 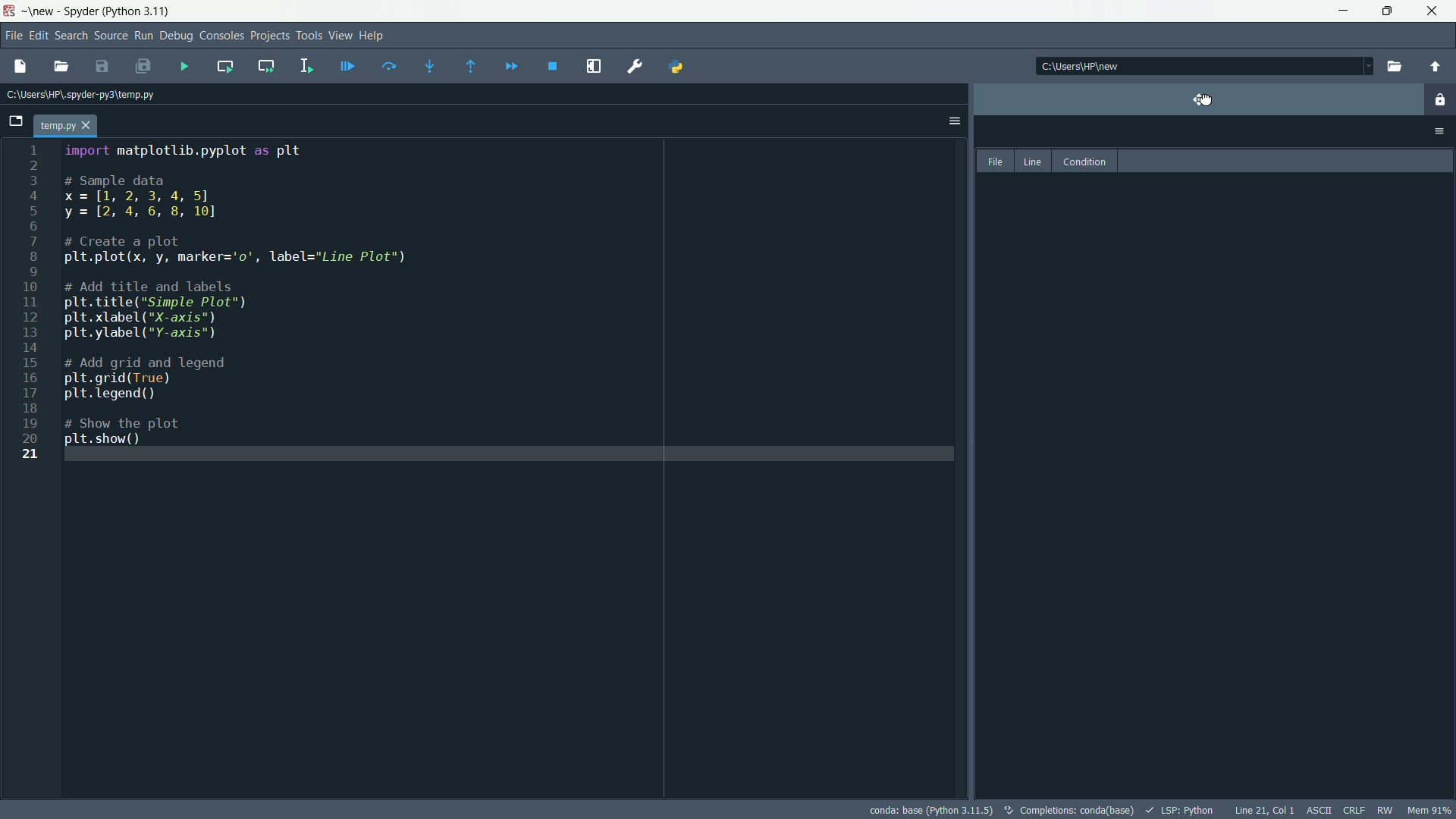 What do you see at coordinates (1085, 161) in the screenshot?
I see `condition` at bounding box center [1085, 161].